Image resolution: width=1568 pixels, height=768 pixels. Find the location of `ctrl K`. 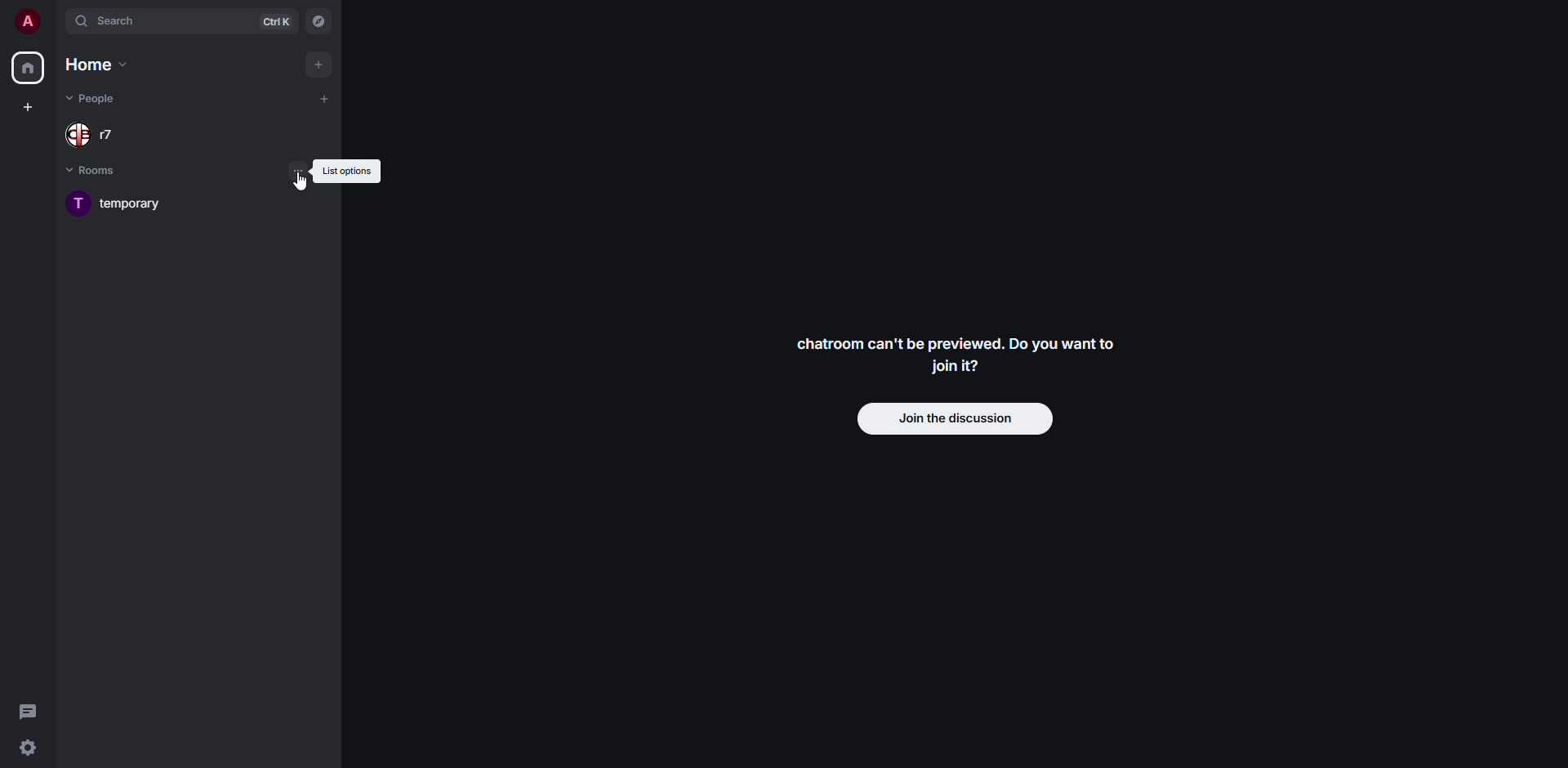

ctrl K is located at coordinates (277, 21).